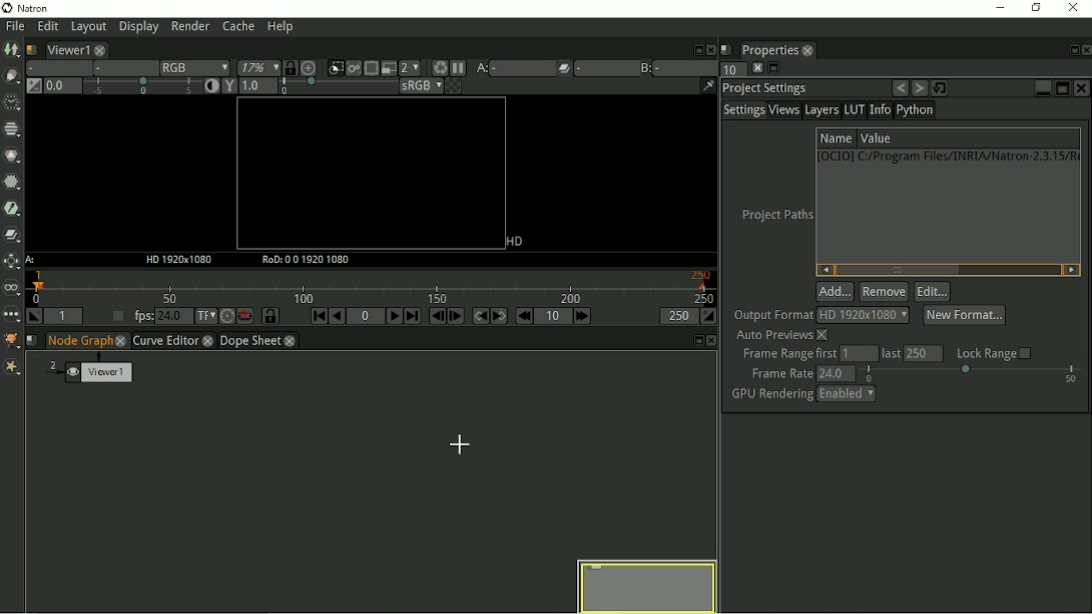 This screenshot has height=614, width=1092. Describe the element at coordinates (370, 289) in the screenshot. I see `Timeline` at that location.